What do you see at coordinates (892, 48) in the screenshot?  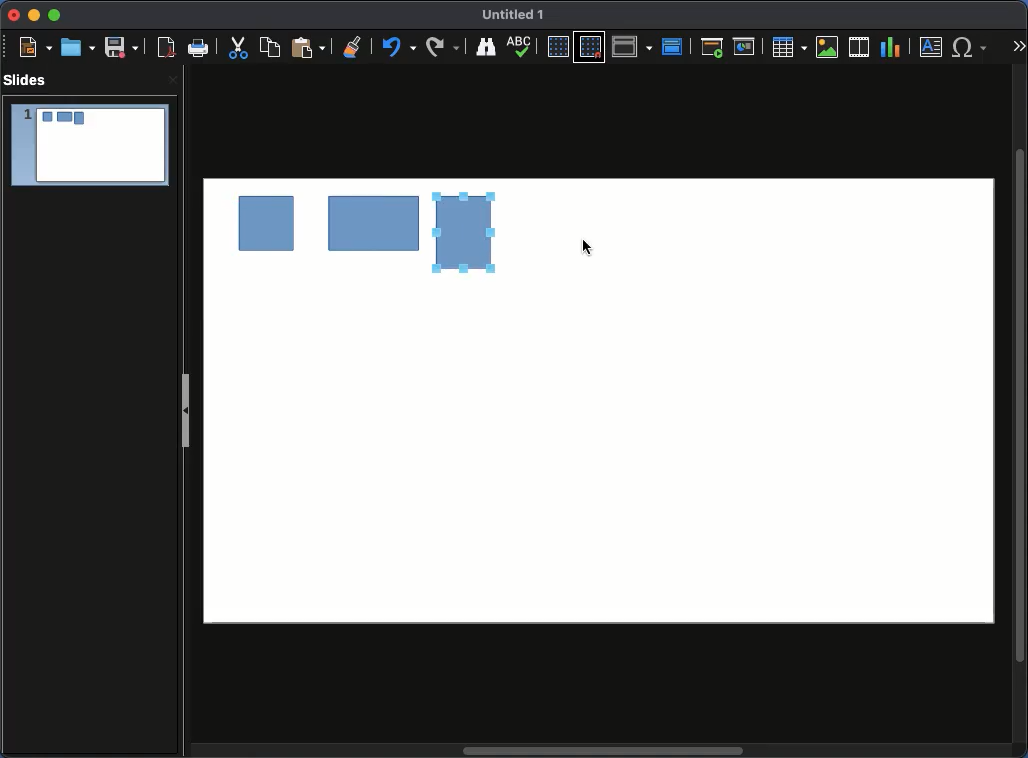 I see `Chart` at bounding box center [892, 48].